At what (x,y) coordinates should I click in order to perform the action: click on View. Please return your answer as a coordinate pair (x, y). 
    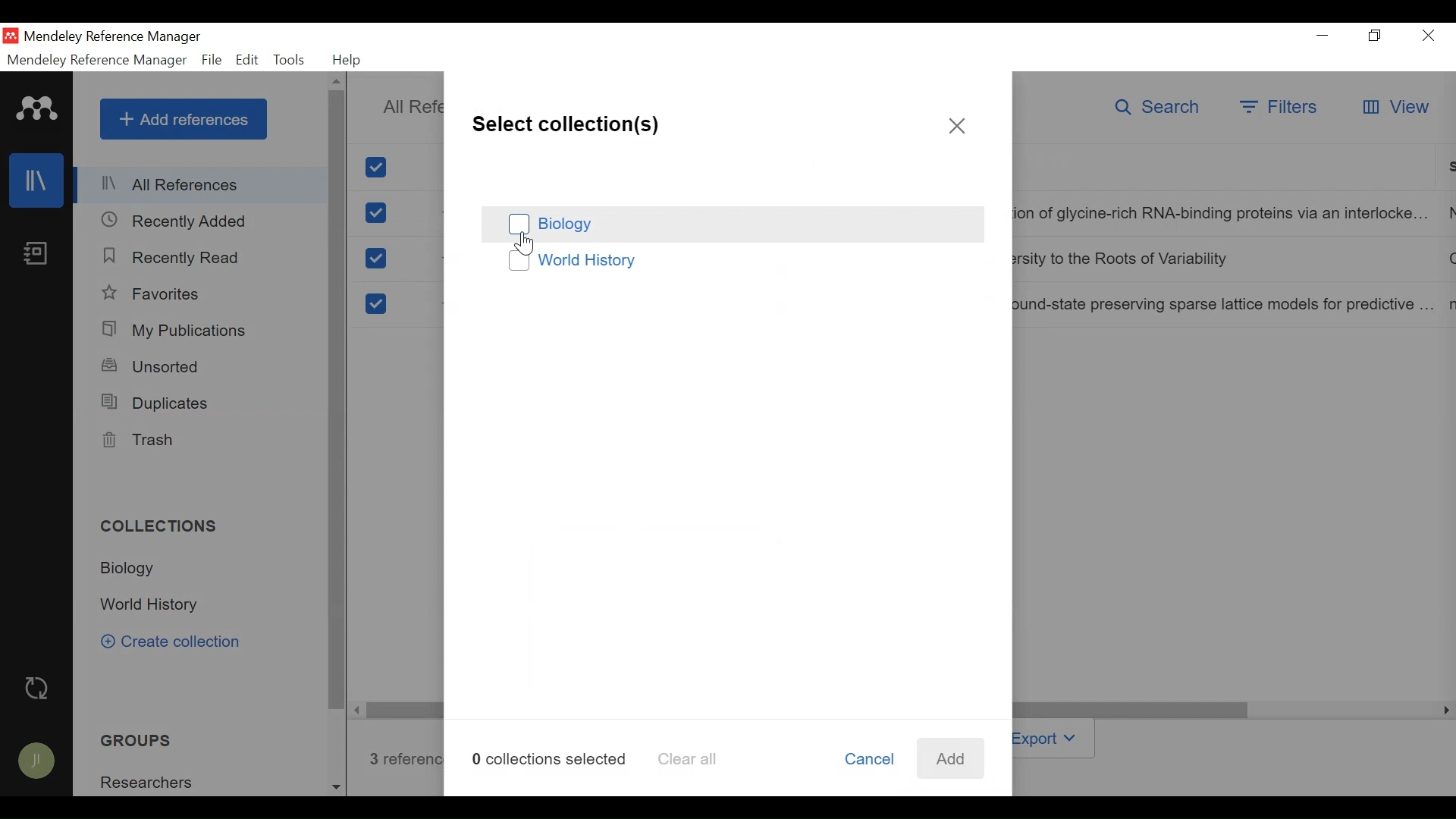
    Looking at the image, I should click on (1394, 108).